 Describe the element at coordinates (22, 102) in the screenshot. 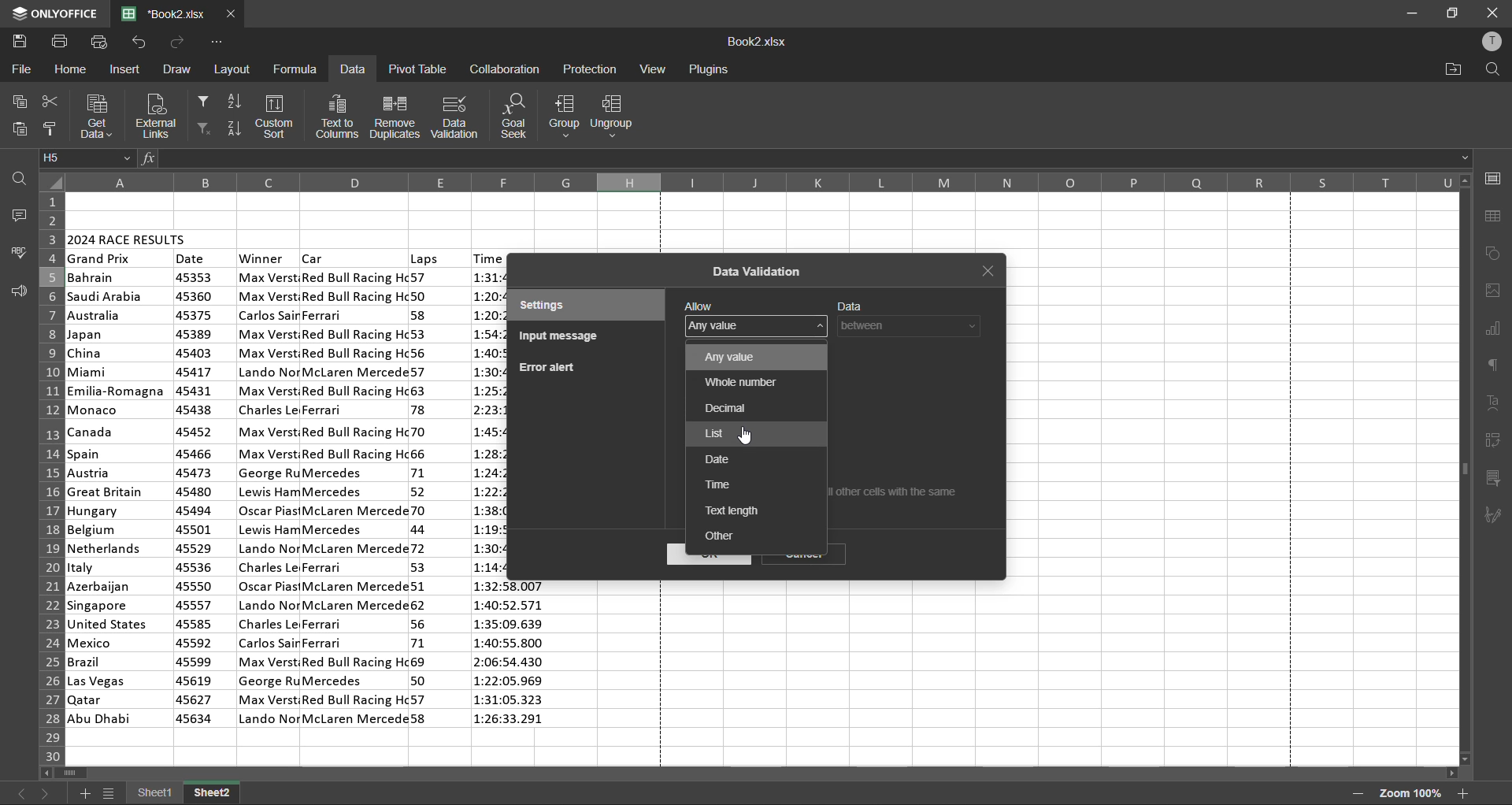

I see `copy` at that location.